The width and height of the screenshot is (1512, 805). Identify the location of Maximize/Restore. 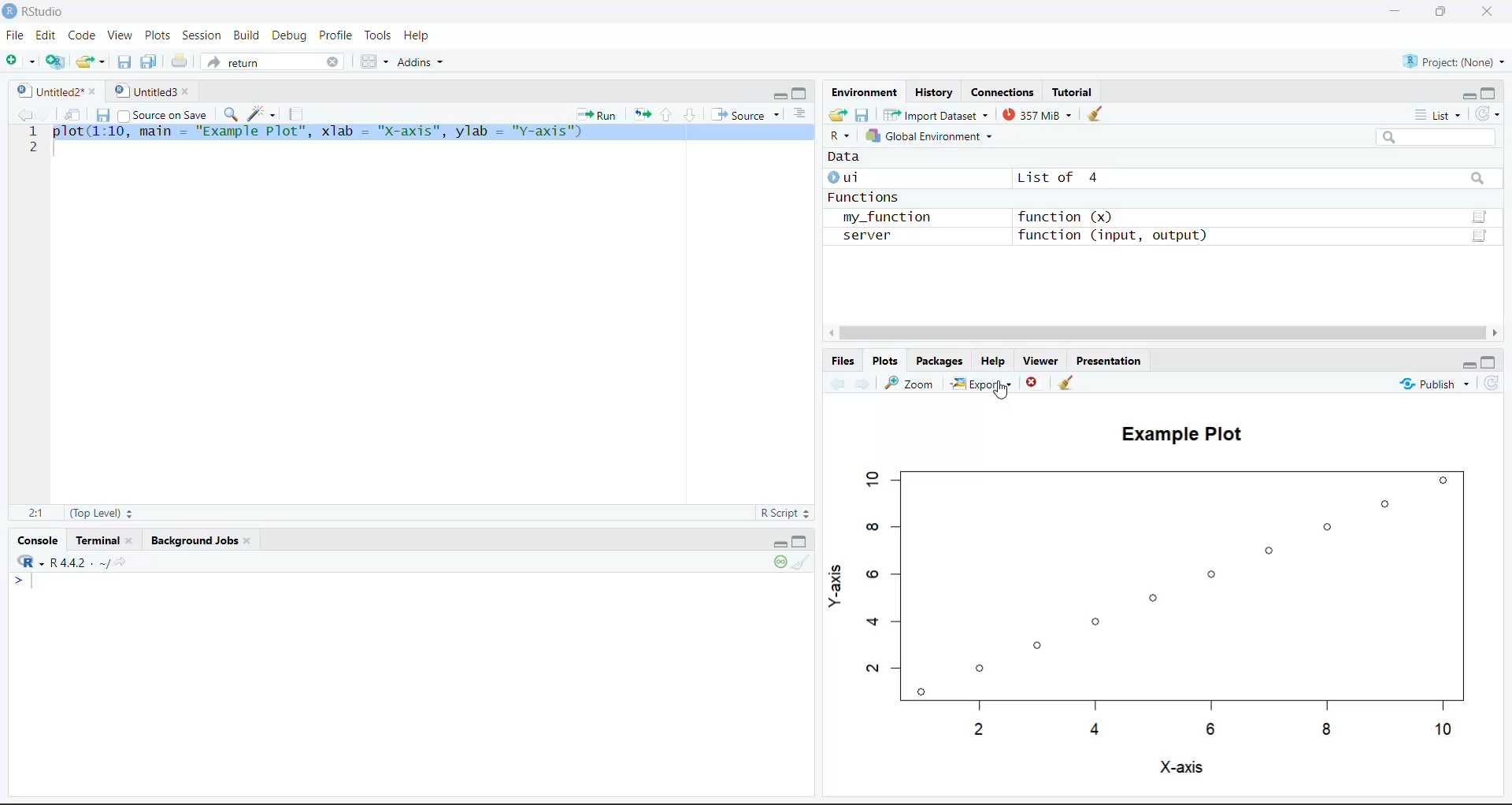
(1491, 362).